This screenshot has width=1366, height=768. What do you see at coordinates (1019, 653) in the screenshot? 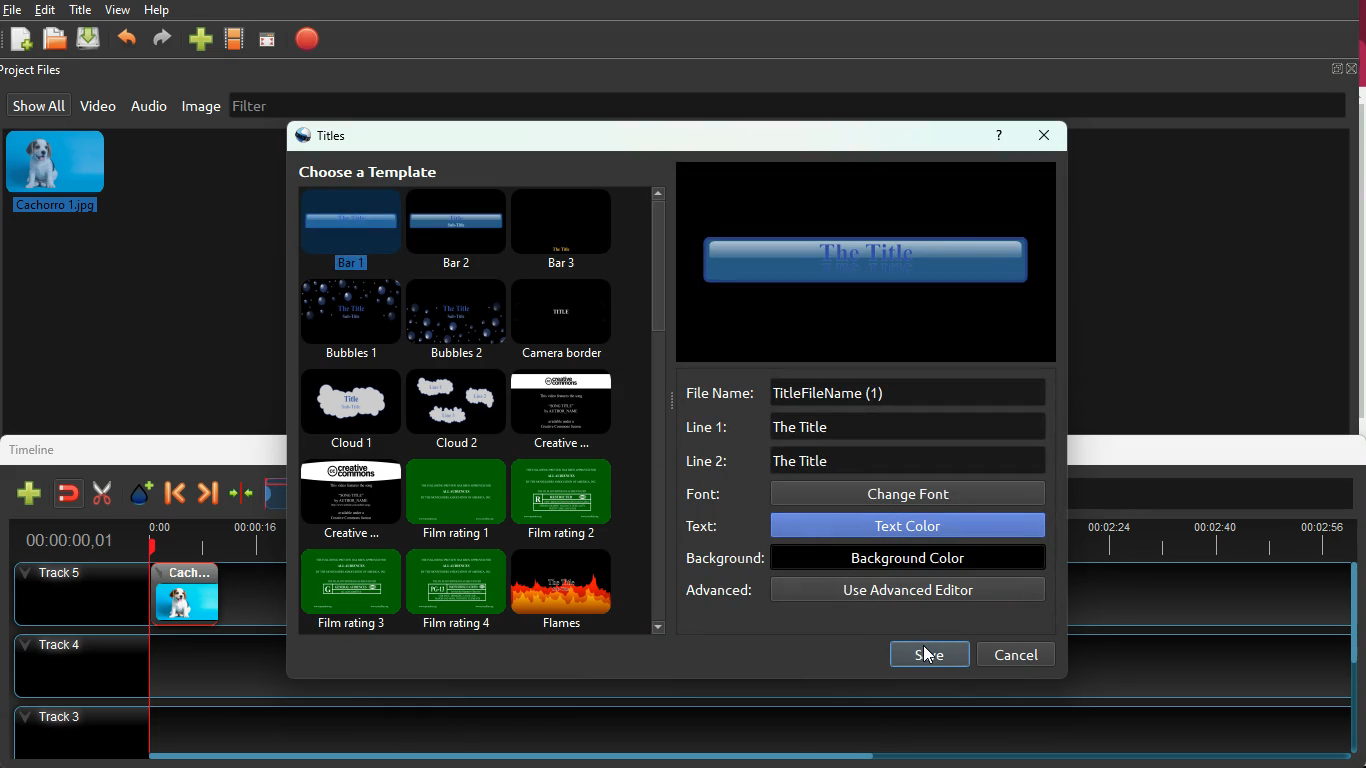
I see `cancel` at bounding box center [1019, 653].